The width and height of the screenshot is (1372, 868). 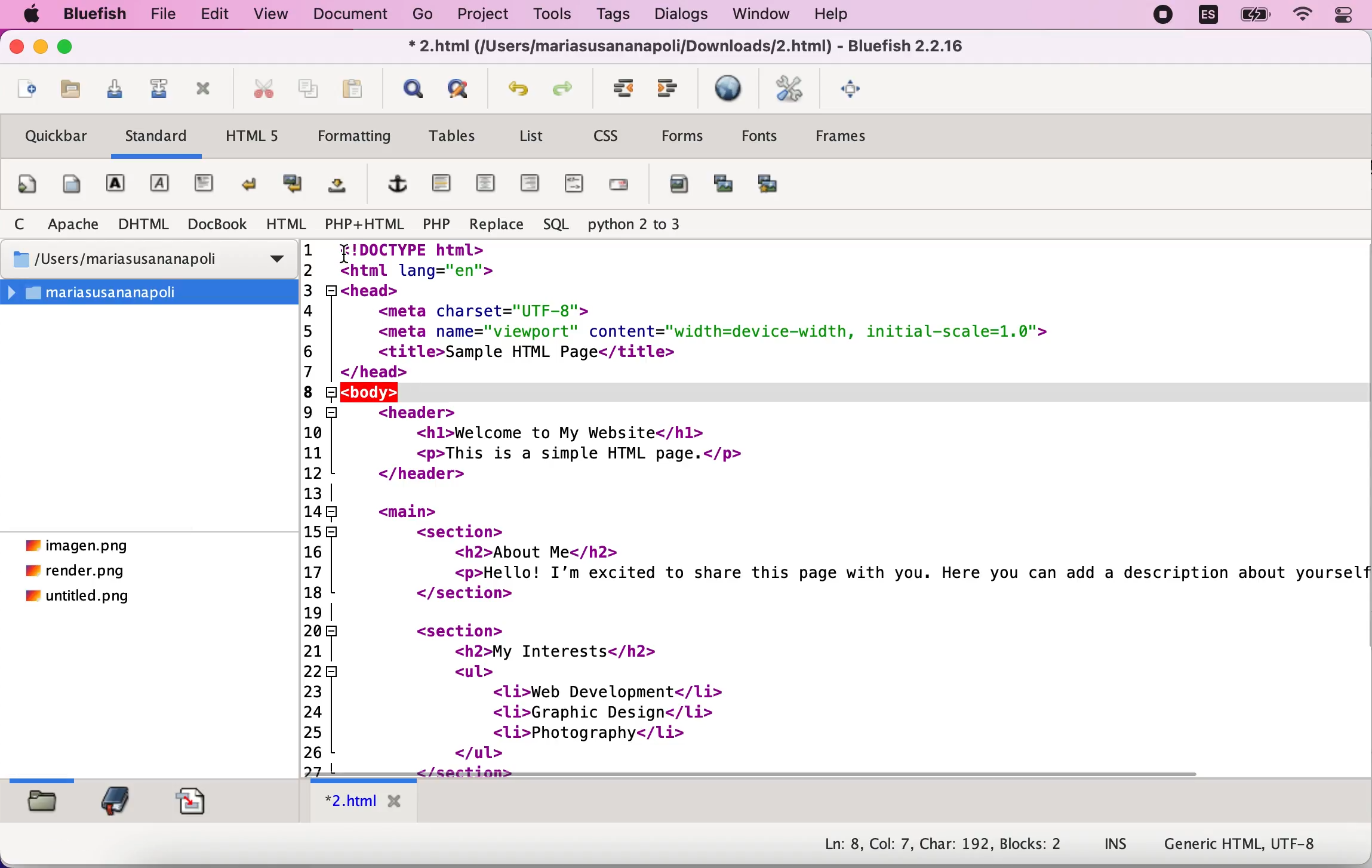 What do you see at coordinates (556, 13) in the screenshot?
I see `tools` at bounding box center [556, 13].